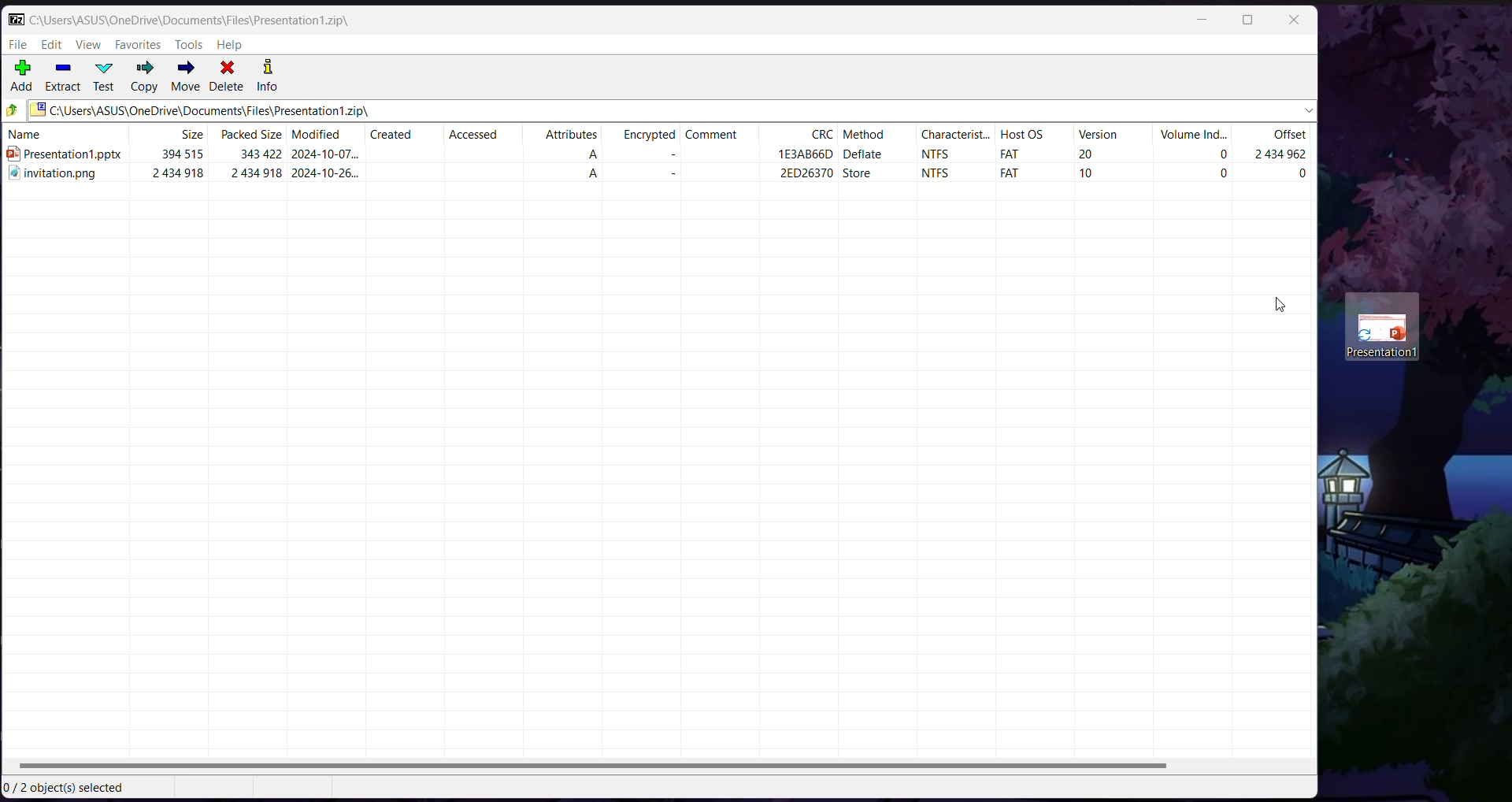 The image size is (1512, 802). Describe the element at coordinates (190, 45) in the screenshot. I see `Tools` at that location.